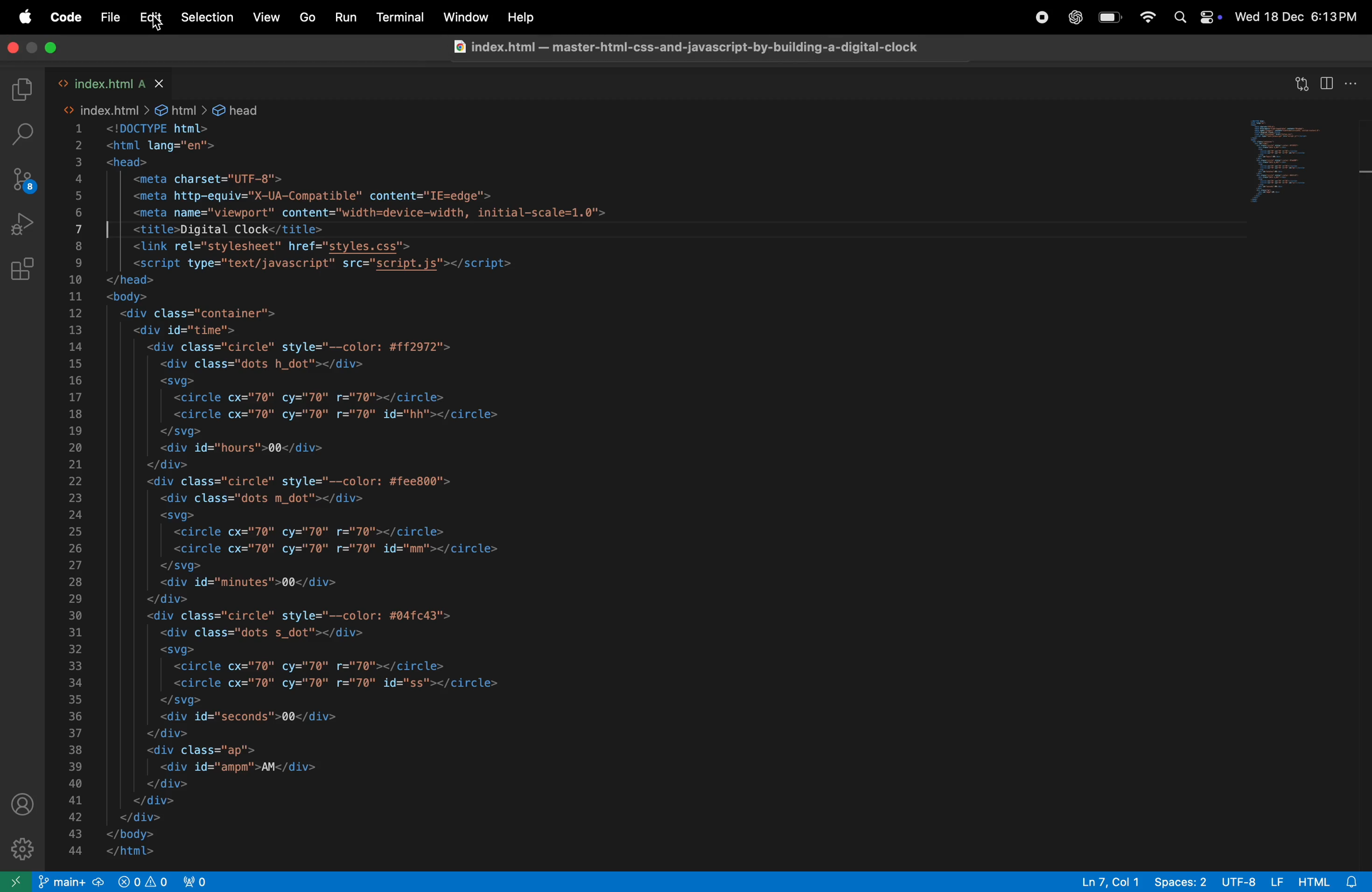 Image resolution: width=1372 pixels, height=892 pixels. I want to click on apple menu, so click(27, 17).